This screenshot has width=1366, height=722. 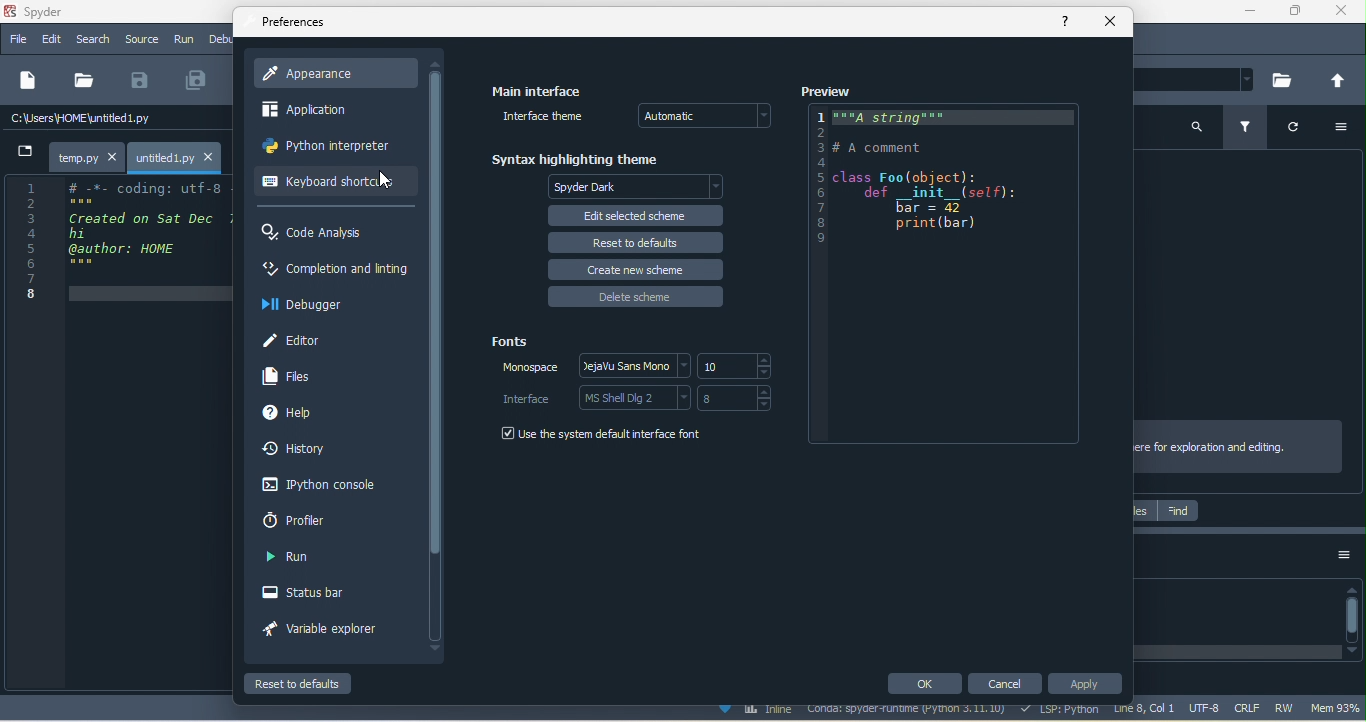 What do you see at coordinates (293, 416) in the screenshot?
I see `help` at bounding box center [293, 416].